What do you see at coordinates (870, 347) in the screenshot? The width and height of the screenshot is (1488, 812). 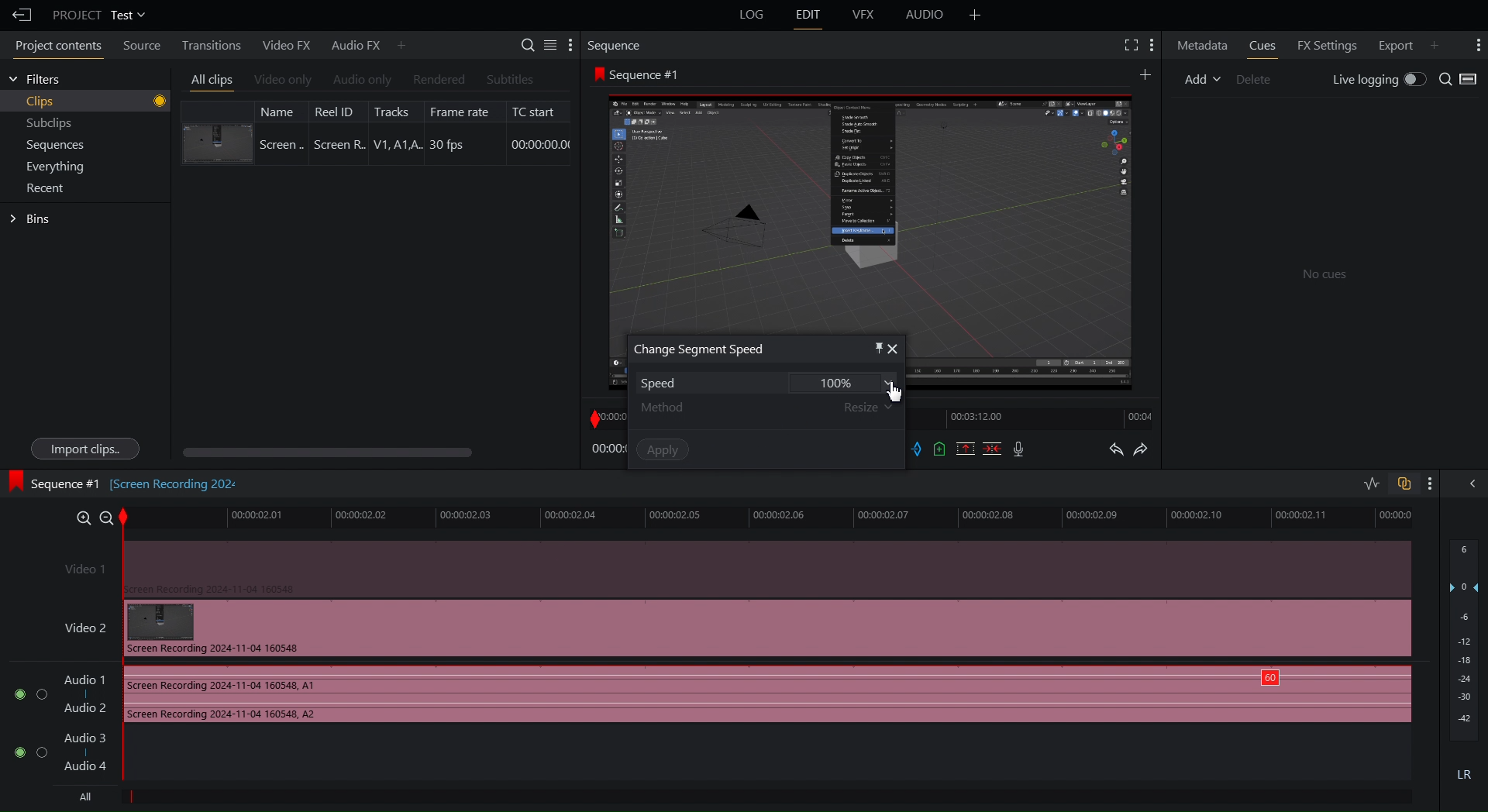 I see `Pin` at bounding box center [870, 347].